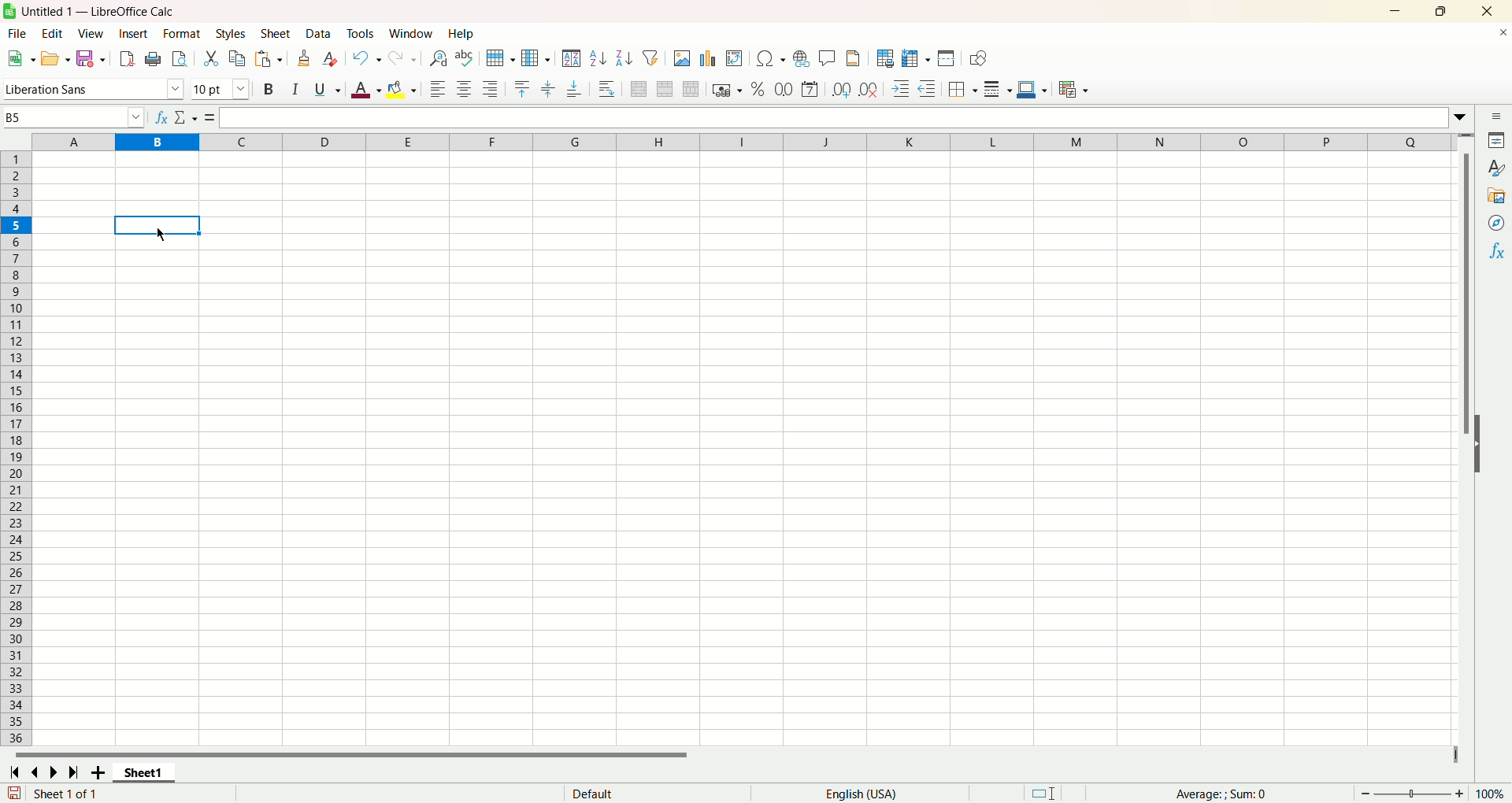 This screenshot has height=803, width=1512. I want to click on merge and center cells, so click(636, 89).